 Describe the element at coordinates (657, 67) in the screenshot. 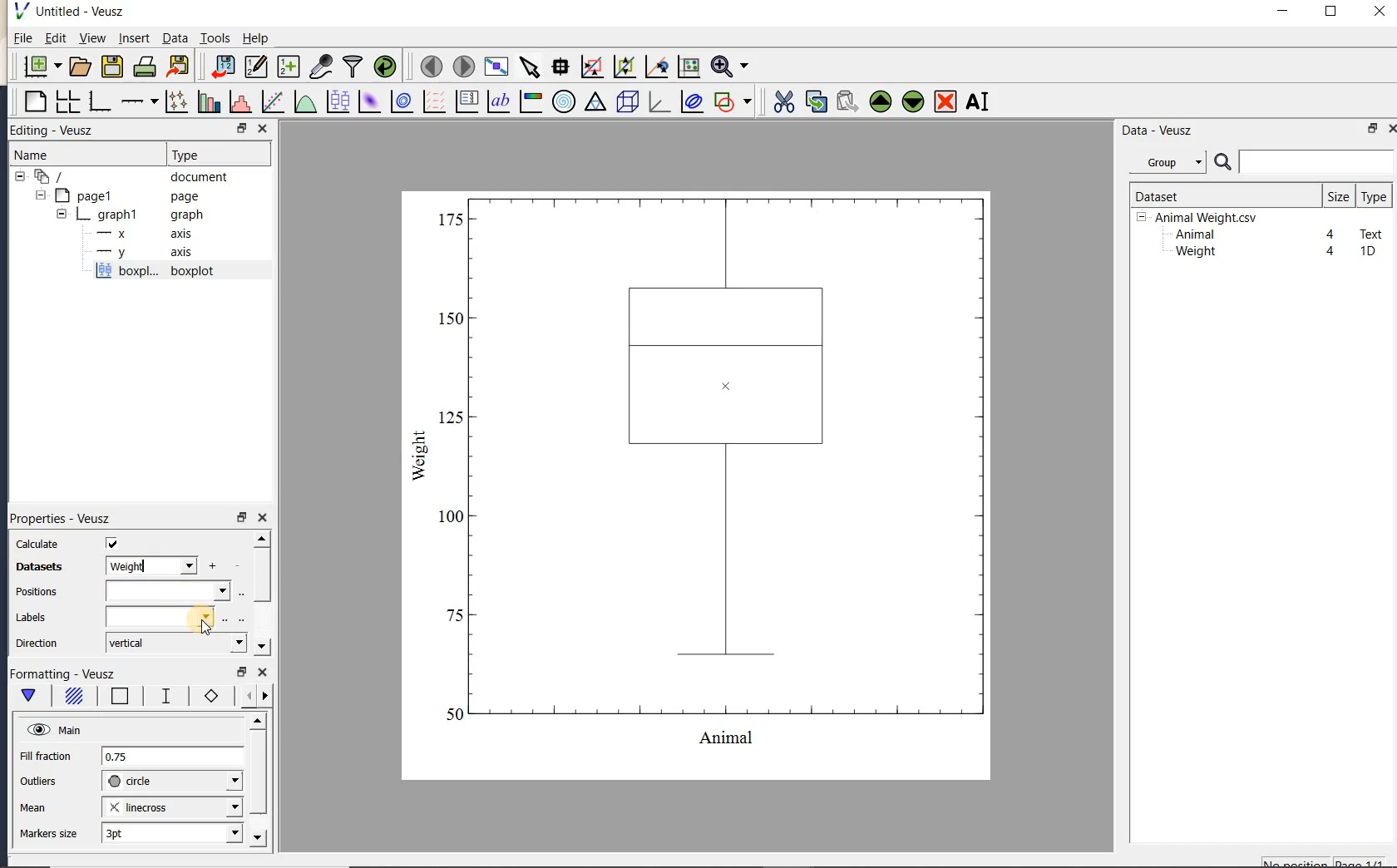

I see `click to recenter graph axes` at that location.